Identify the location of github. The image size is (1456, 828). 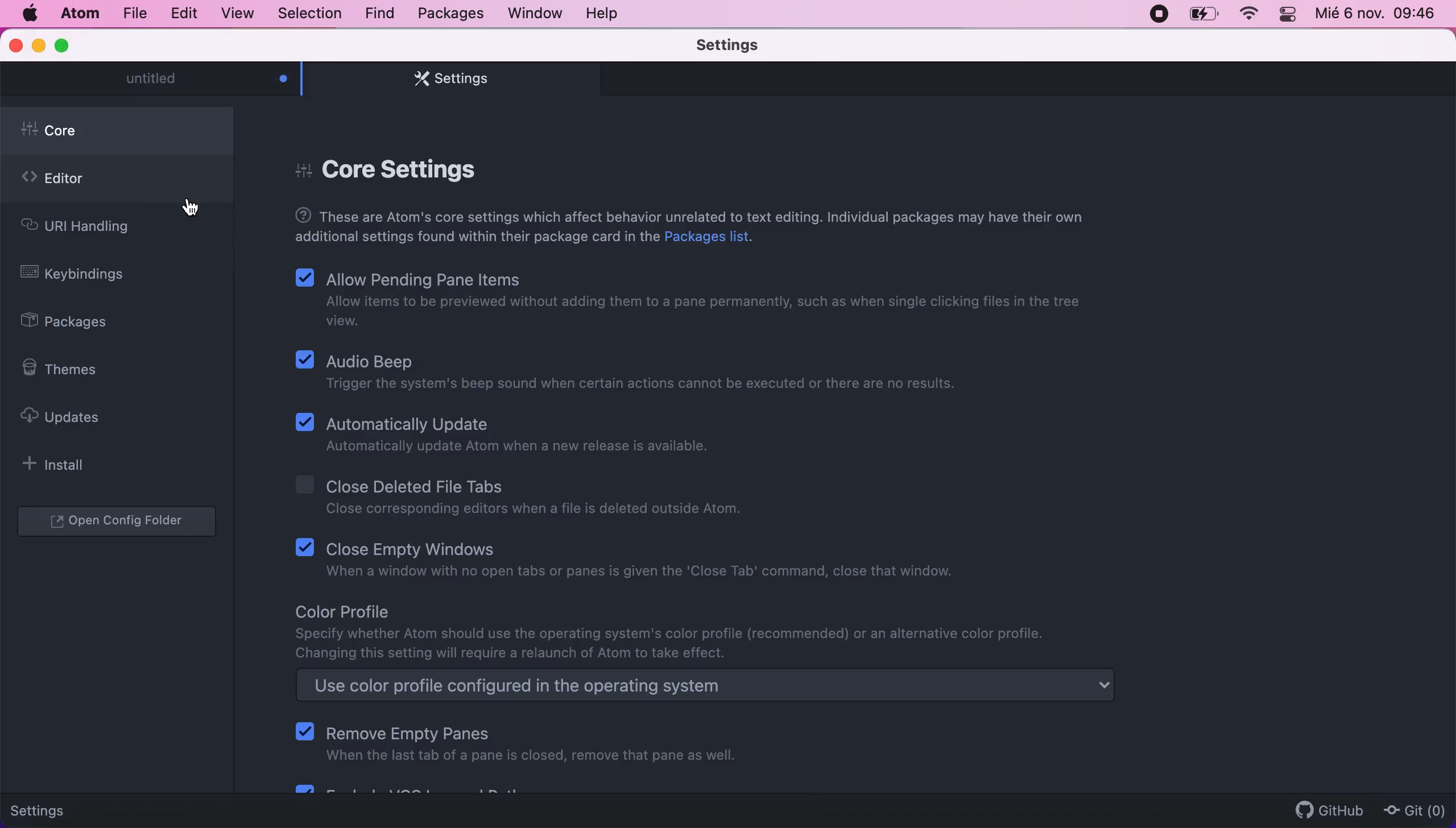
(1334, 810).